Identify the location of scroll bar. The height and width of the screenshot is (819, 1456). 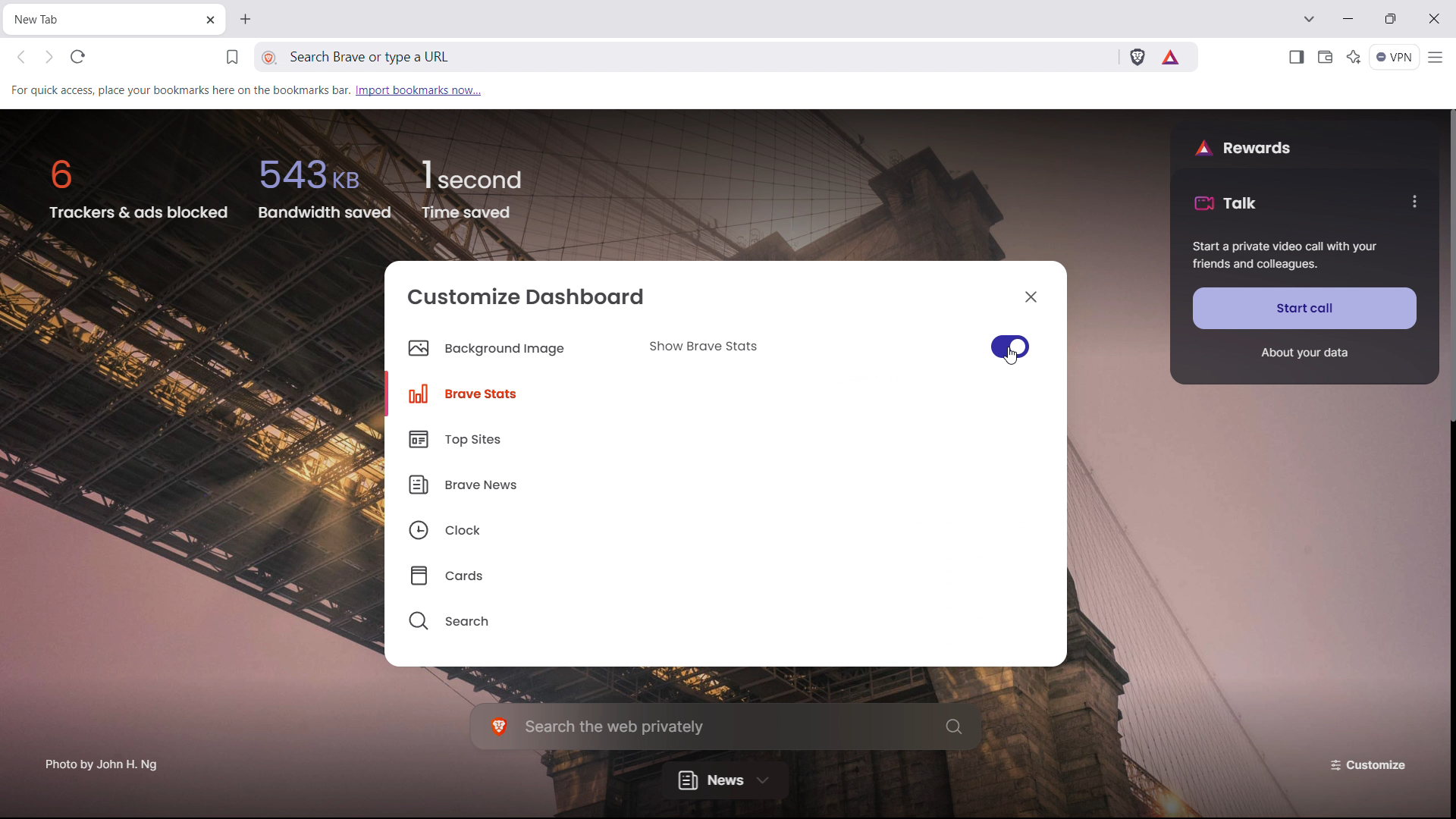
(1447, 618).